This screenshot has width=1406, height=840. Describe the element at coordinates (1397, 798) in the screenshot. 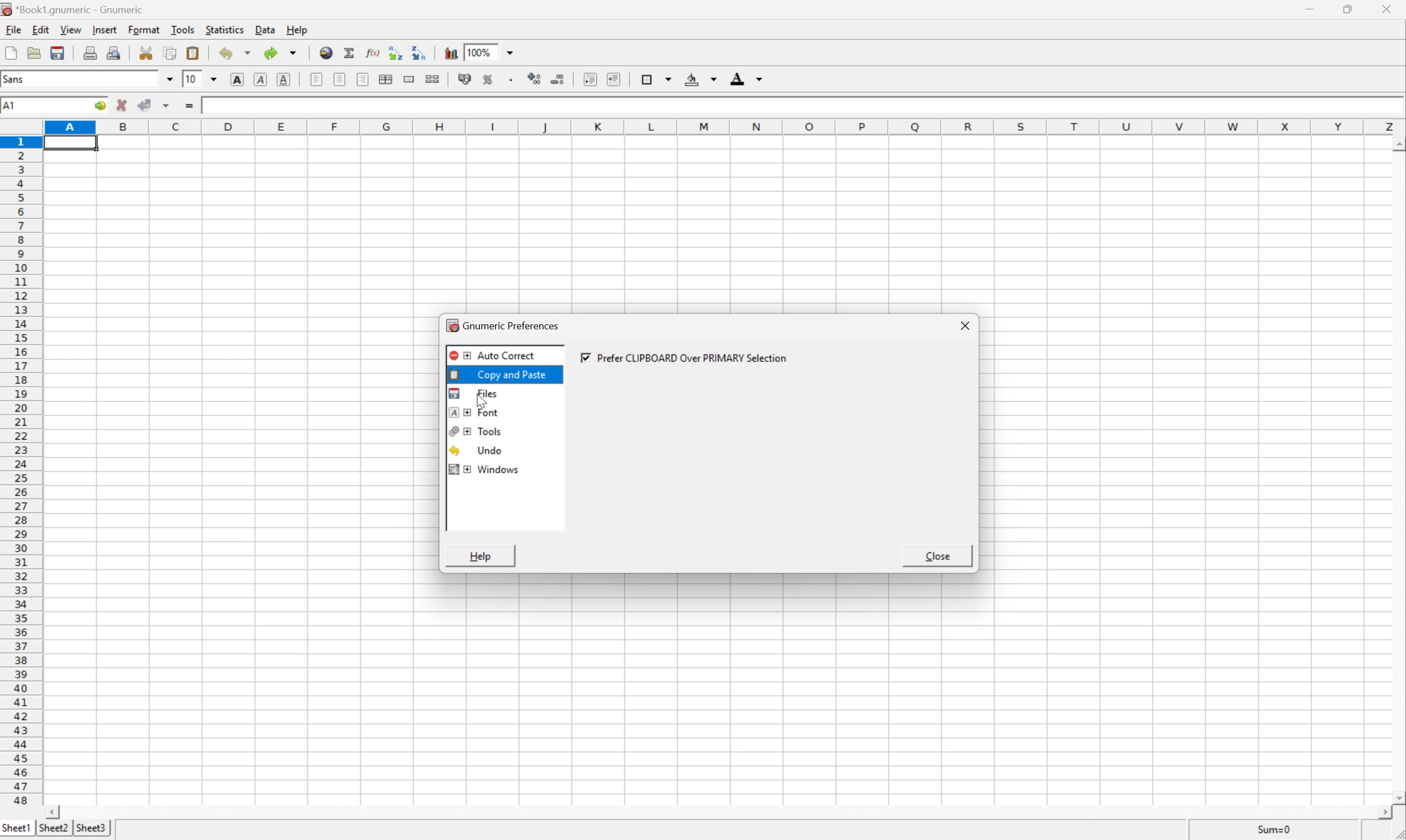

I see `scroll down` at that location.